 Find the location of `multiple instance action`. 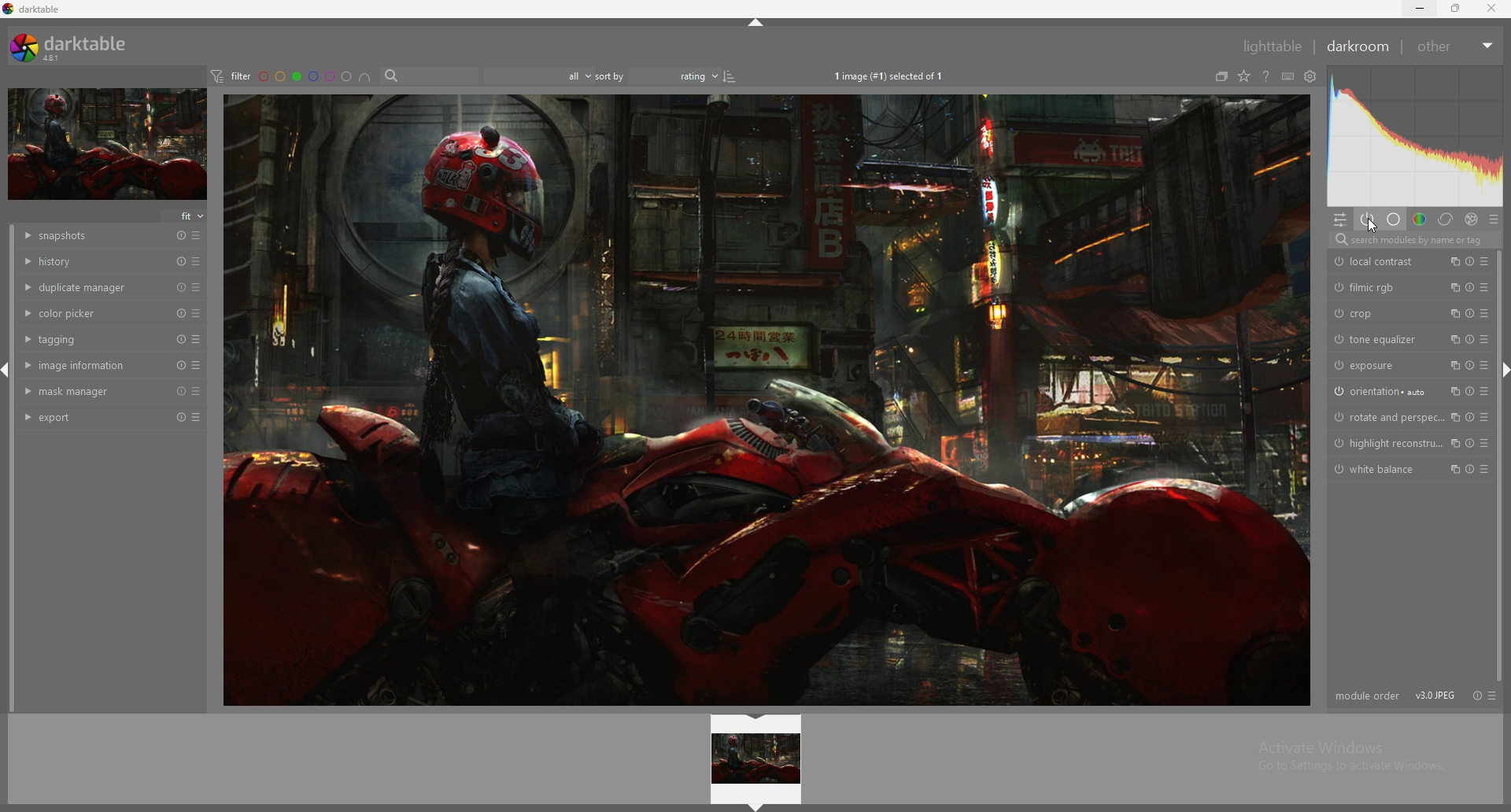

multiple instance action is located at coordinates (1455, 263).